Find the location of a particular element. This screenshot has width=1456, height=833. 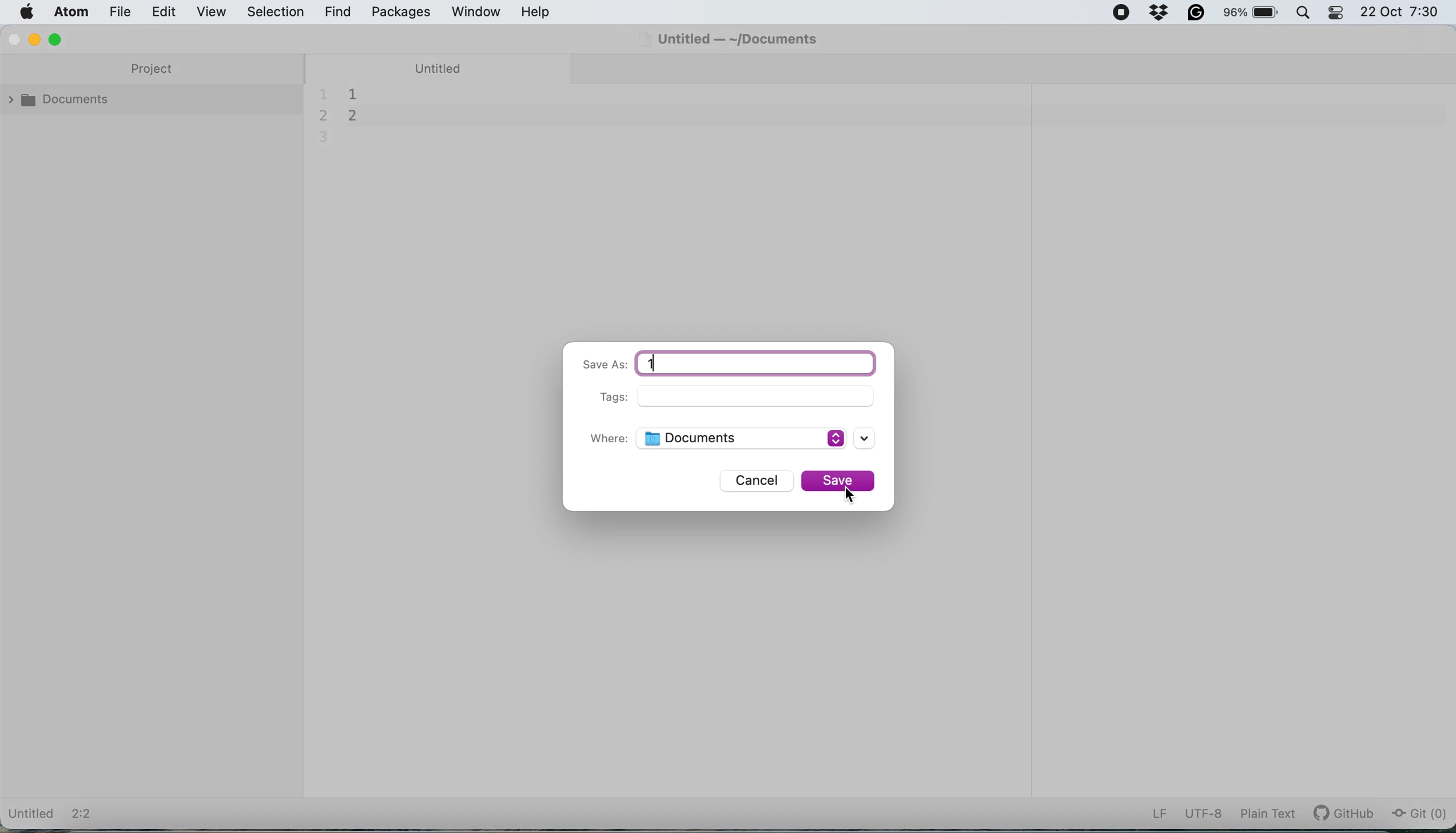

grammarly is located at coordinates (1196, 14).